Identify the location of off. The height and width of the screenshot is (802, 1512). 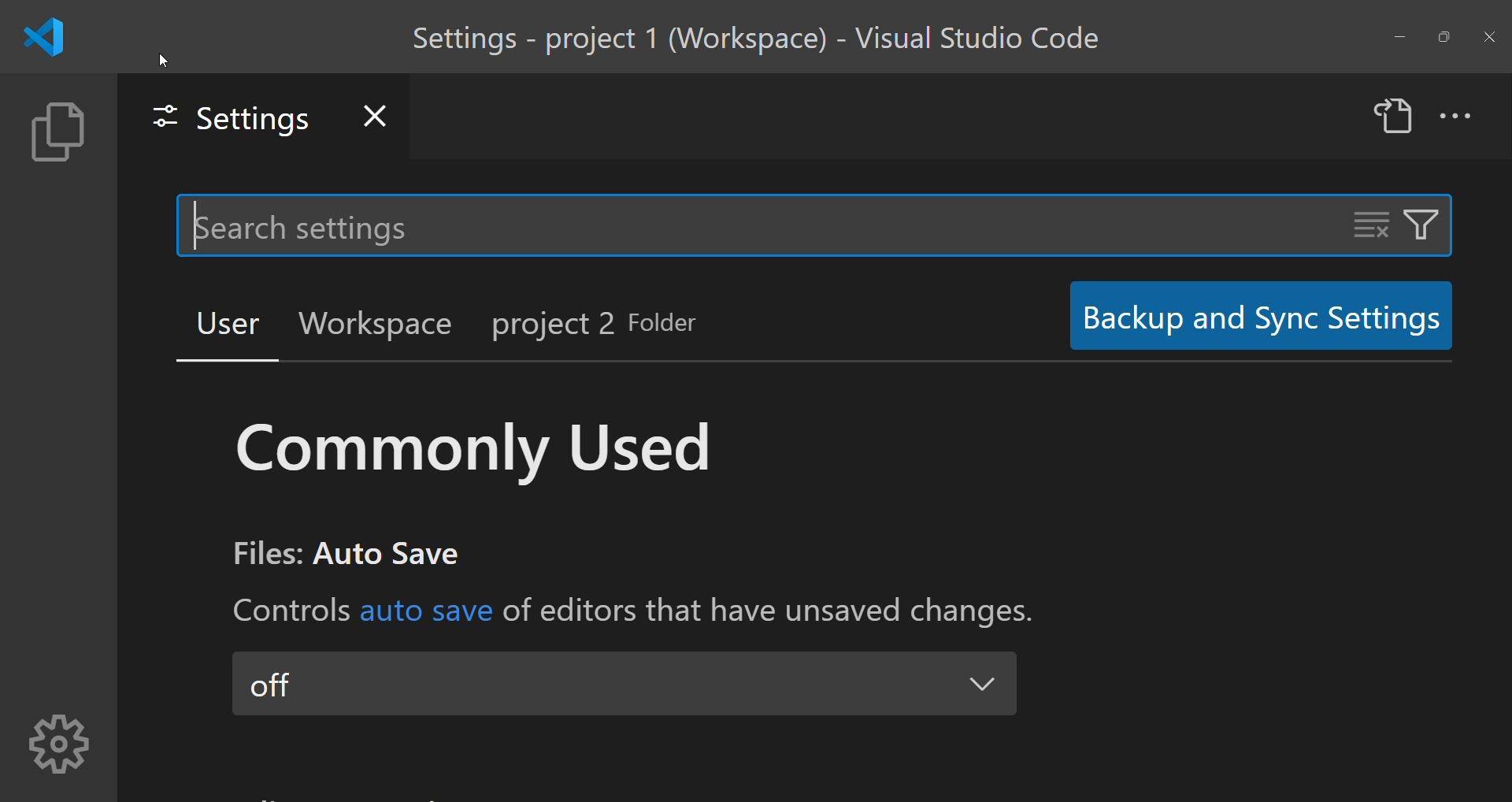
(580, 681).